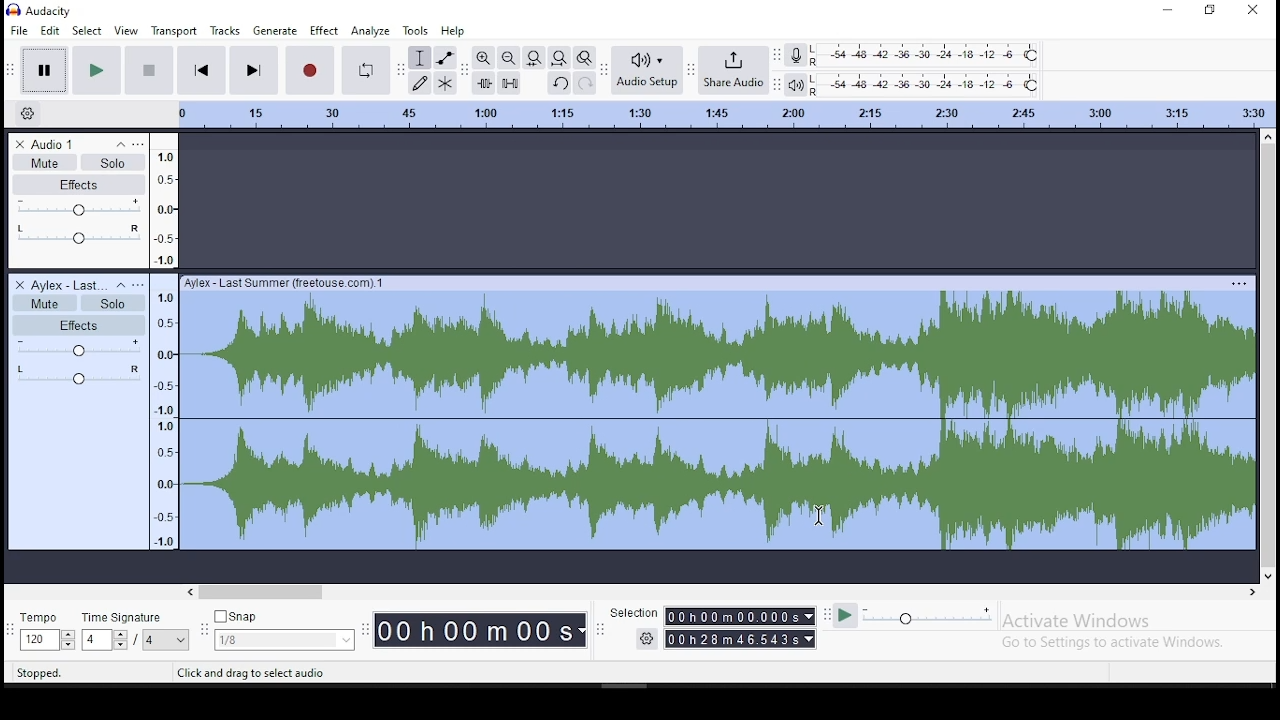  I want to click on scroll bar, so click(1267, 355).